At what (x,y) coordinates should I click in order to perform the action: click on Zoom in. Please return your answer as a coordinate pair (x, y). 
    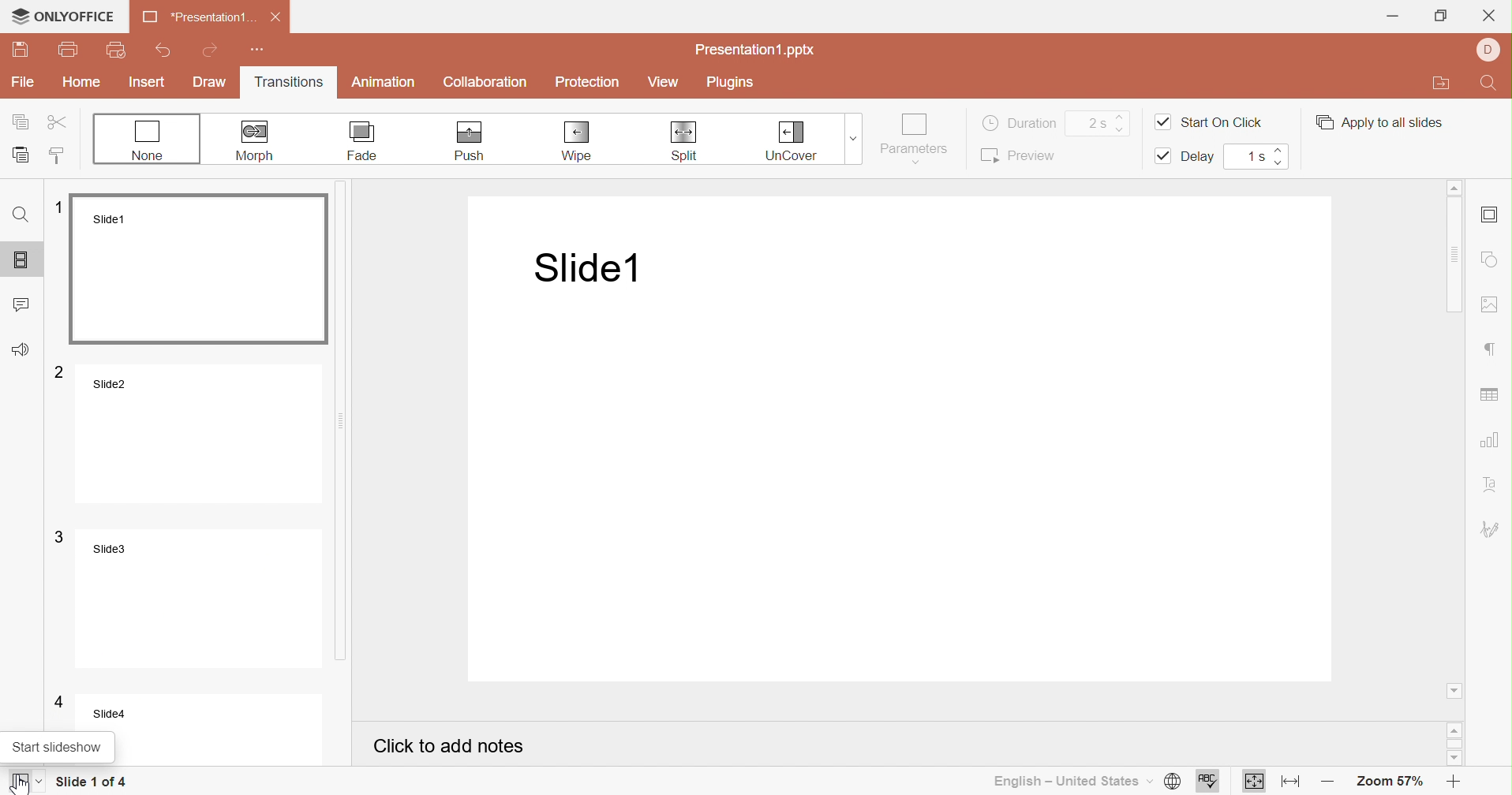
    Looking at the image, I should click on (1454, 784).